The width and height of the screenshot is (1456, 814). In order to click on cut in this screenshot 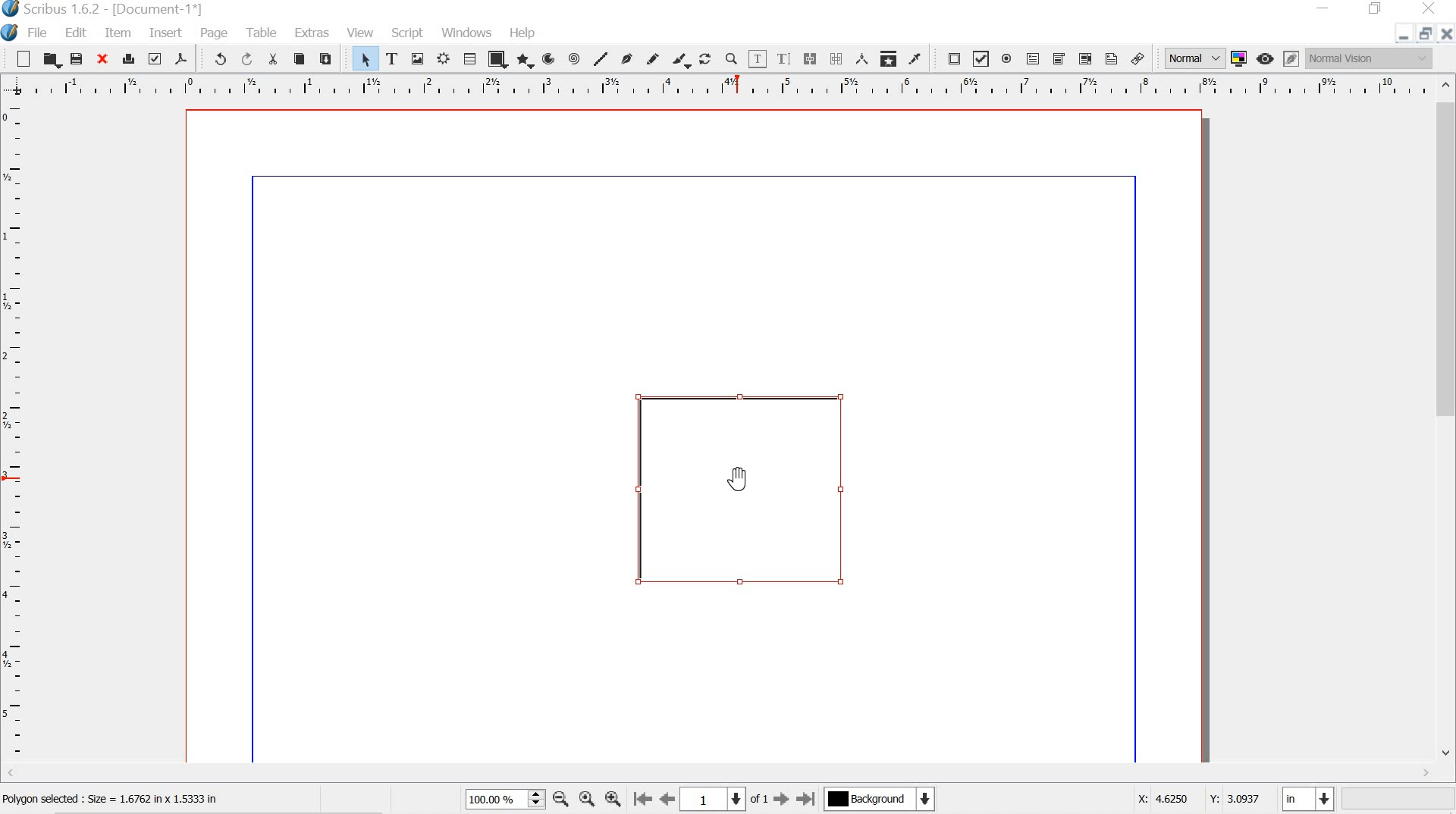, I will do `click(273, 59)`.